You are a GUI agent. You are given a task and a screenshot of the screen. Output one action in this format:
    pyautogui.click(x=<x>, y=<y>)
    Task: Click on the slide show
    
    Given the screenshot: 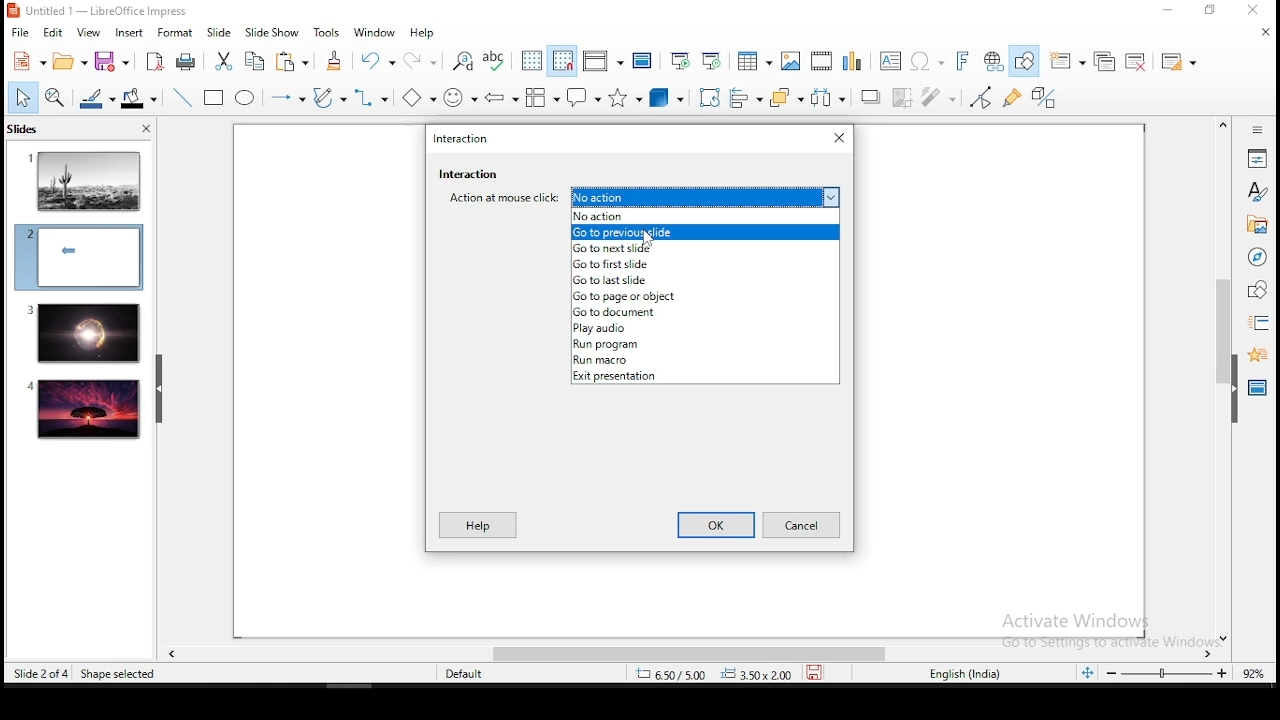 What is the action you would take?
    pyautogui.click(x=274, y=33)
    